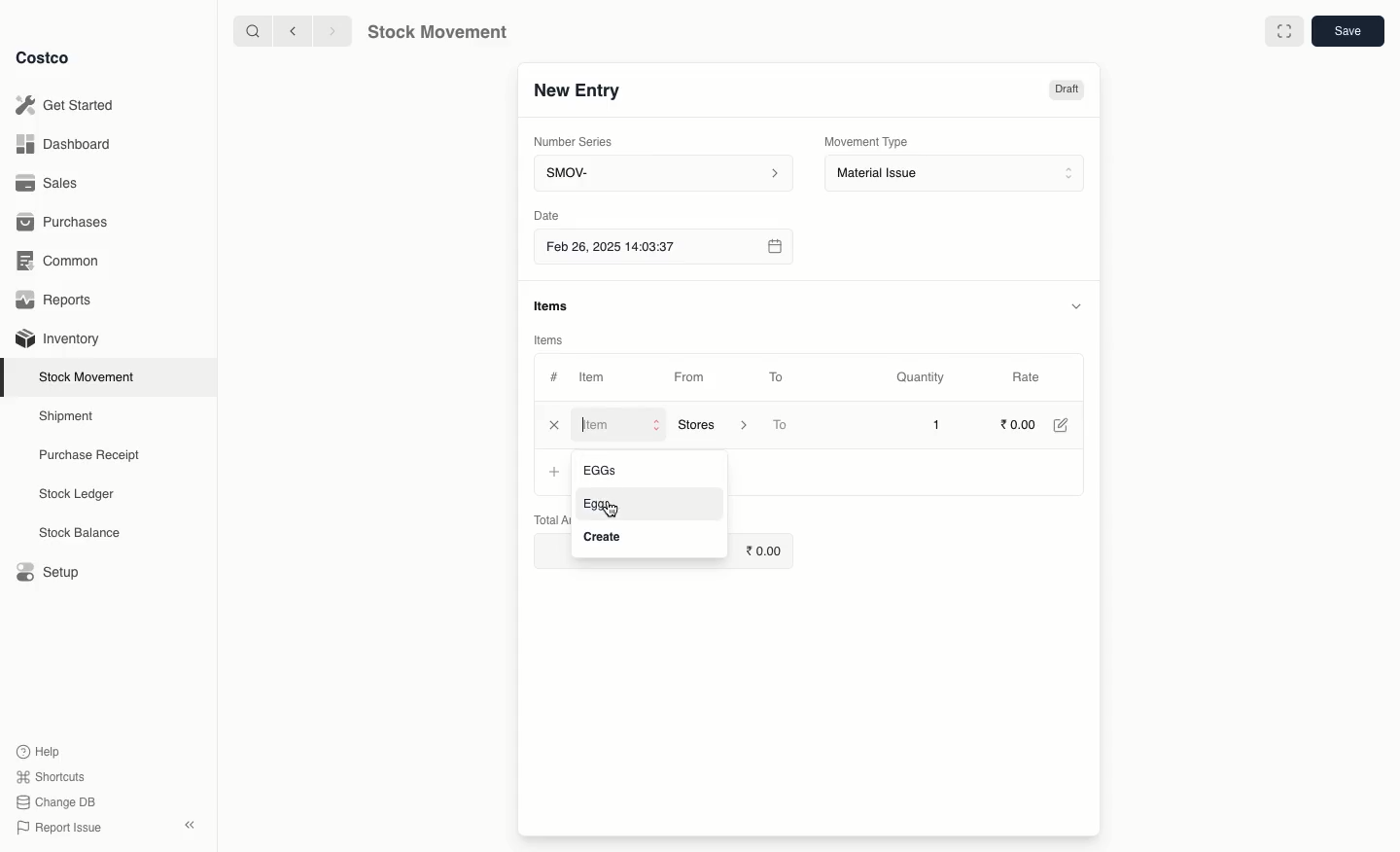  What do you see at coordinates (58, 300) in the screenshot?
I see `Reports` at bounding box center [58, 300].